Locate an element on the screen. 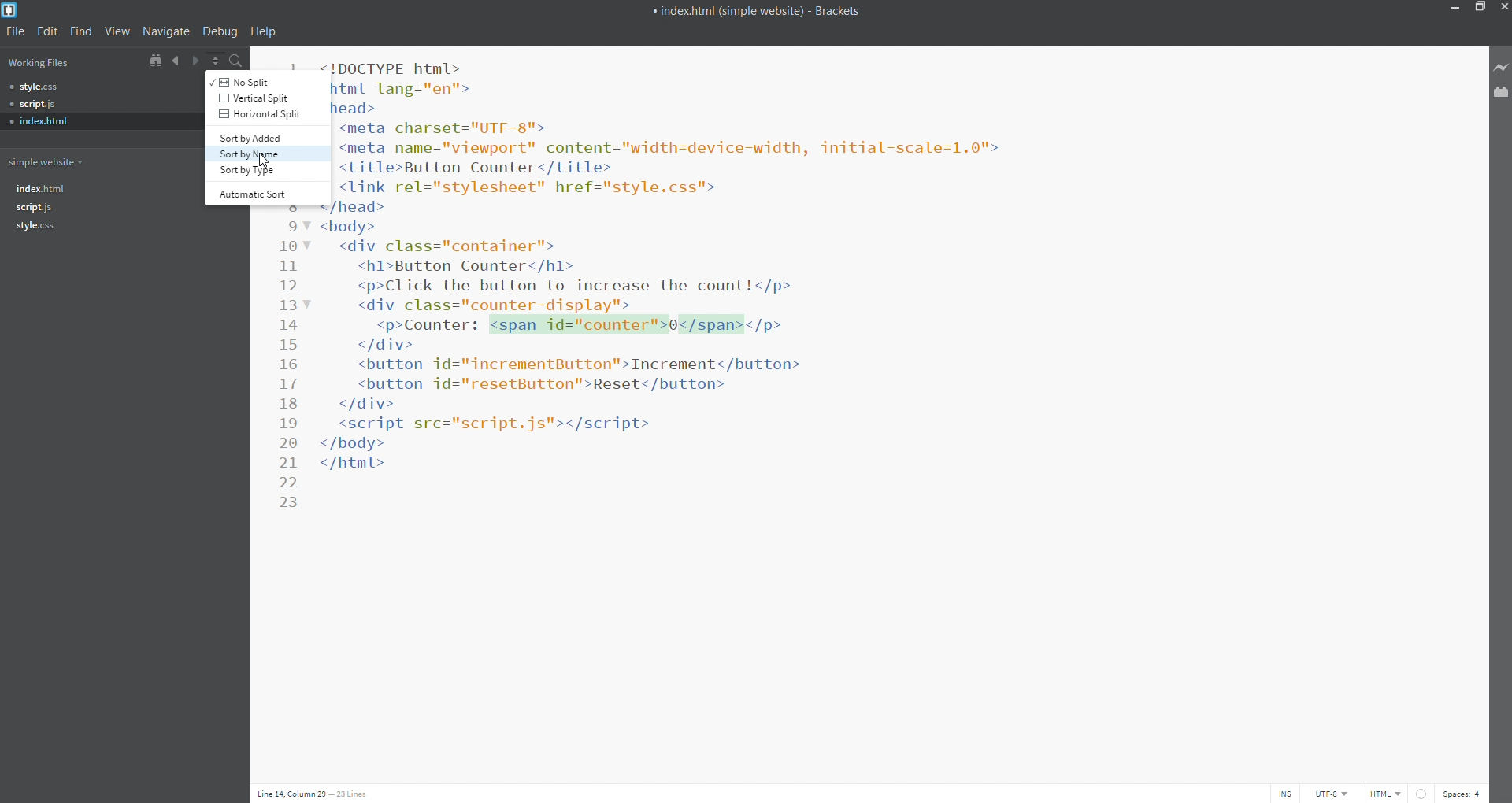  encoding: utf-8 is located at coordinates (1336, 794).